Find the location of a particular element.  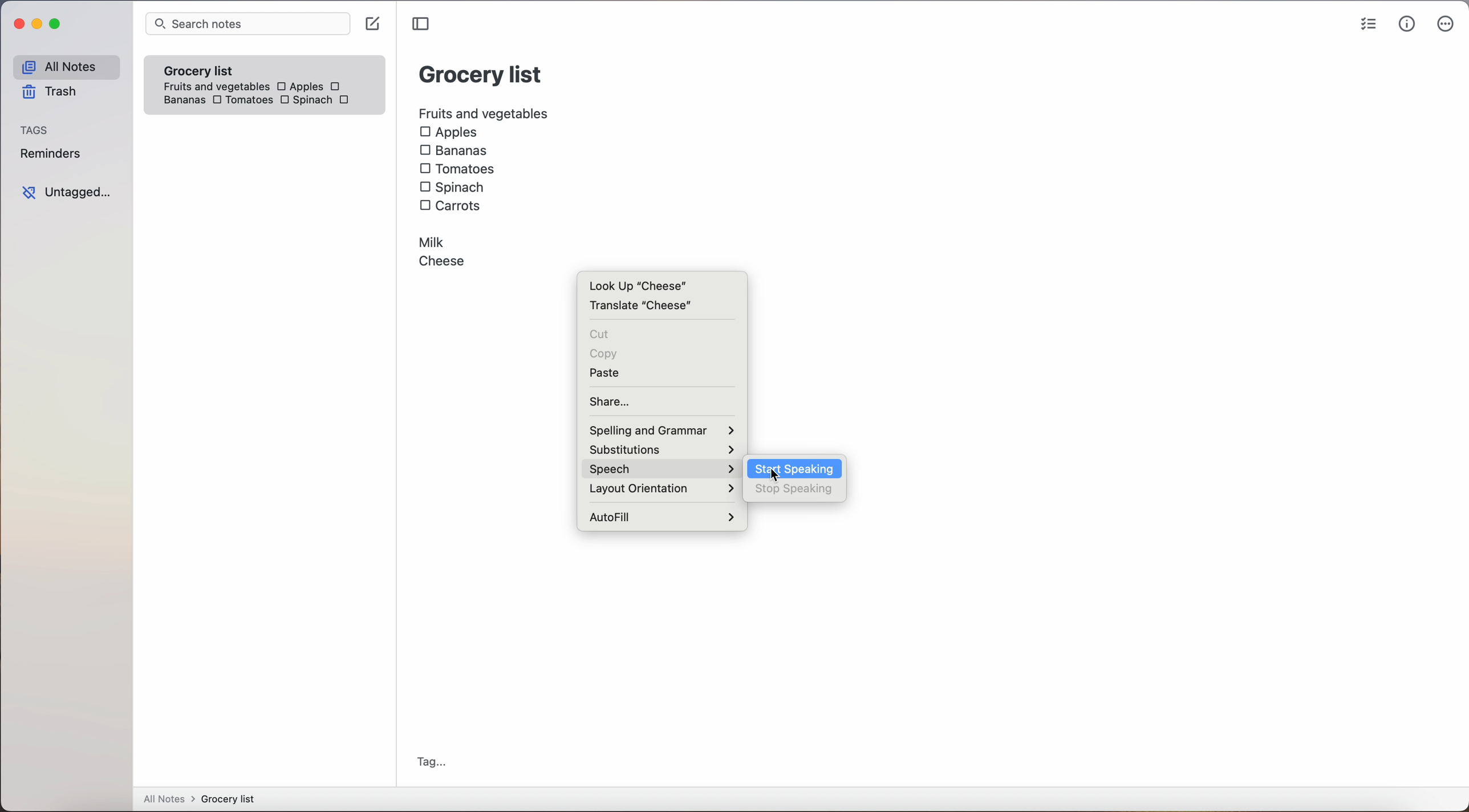

search notes is located at coordinates (248, 25).